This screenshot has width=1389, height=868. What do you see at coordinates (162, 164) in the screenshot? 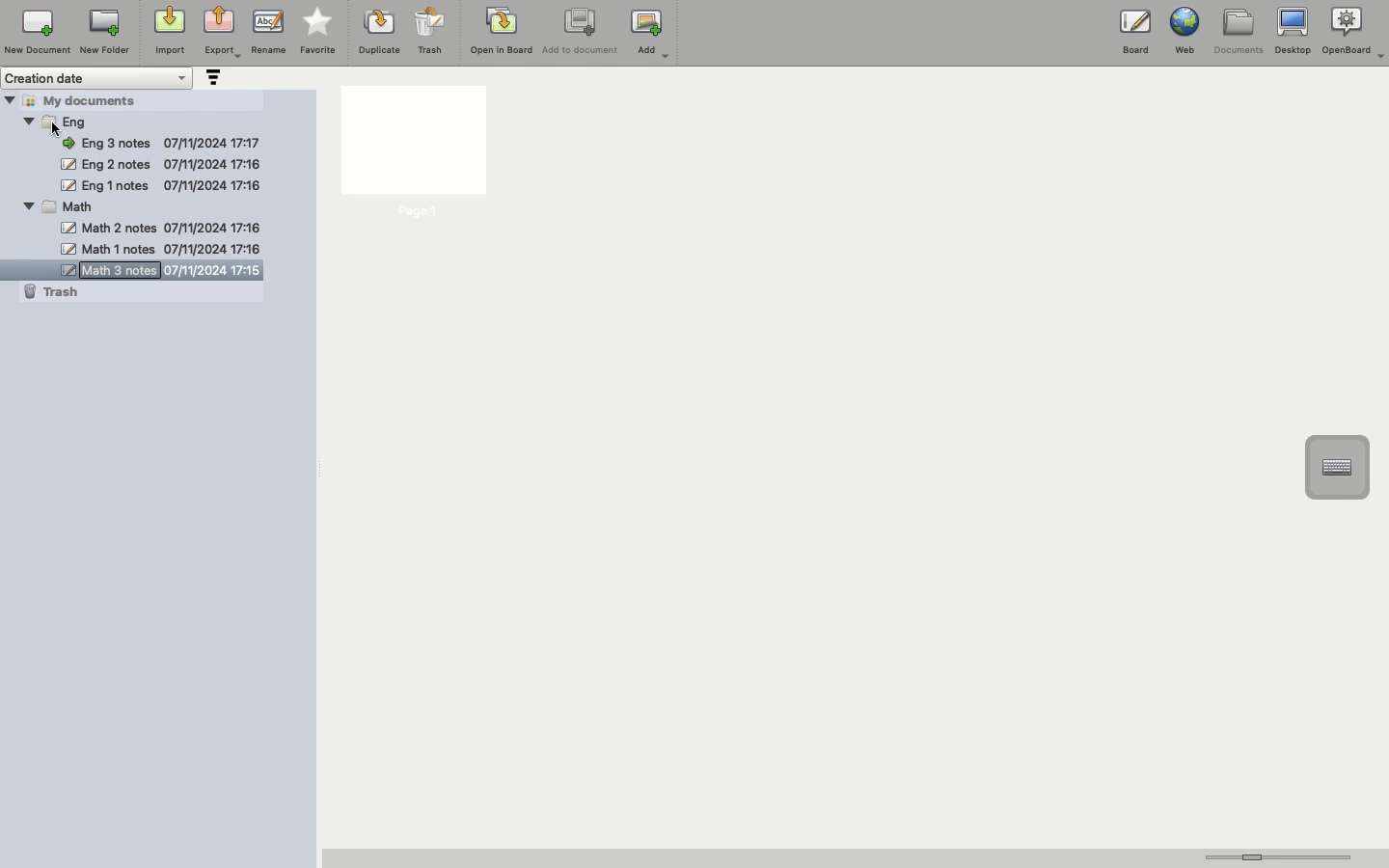
I see `Math 2 notes` at bounding box center [162, 164].